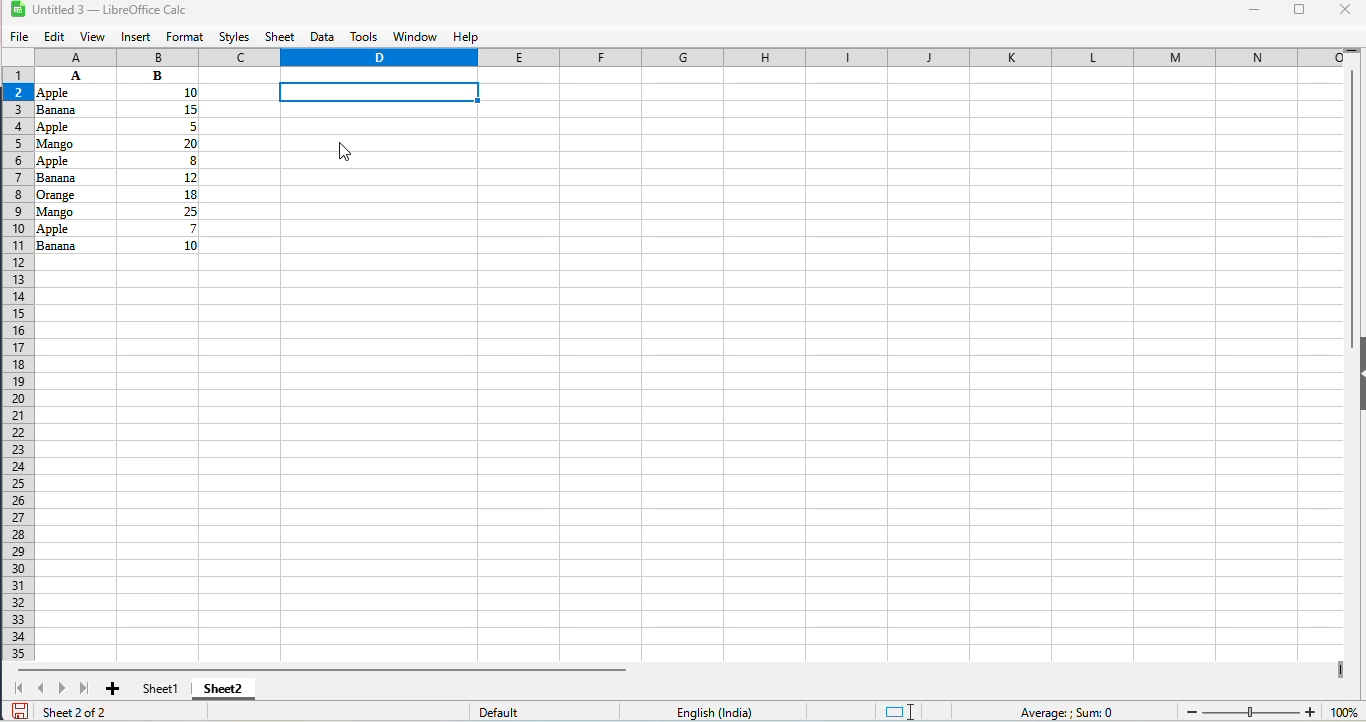 This screenshot has width=1366, height=722. I want to click on columns, so click(692, 57).